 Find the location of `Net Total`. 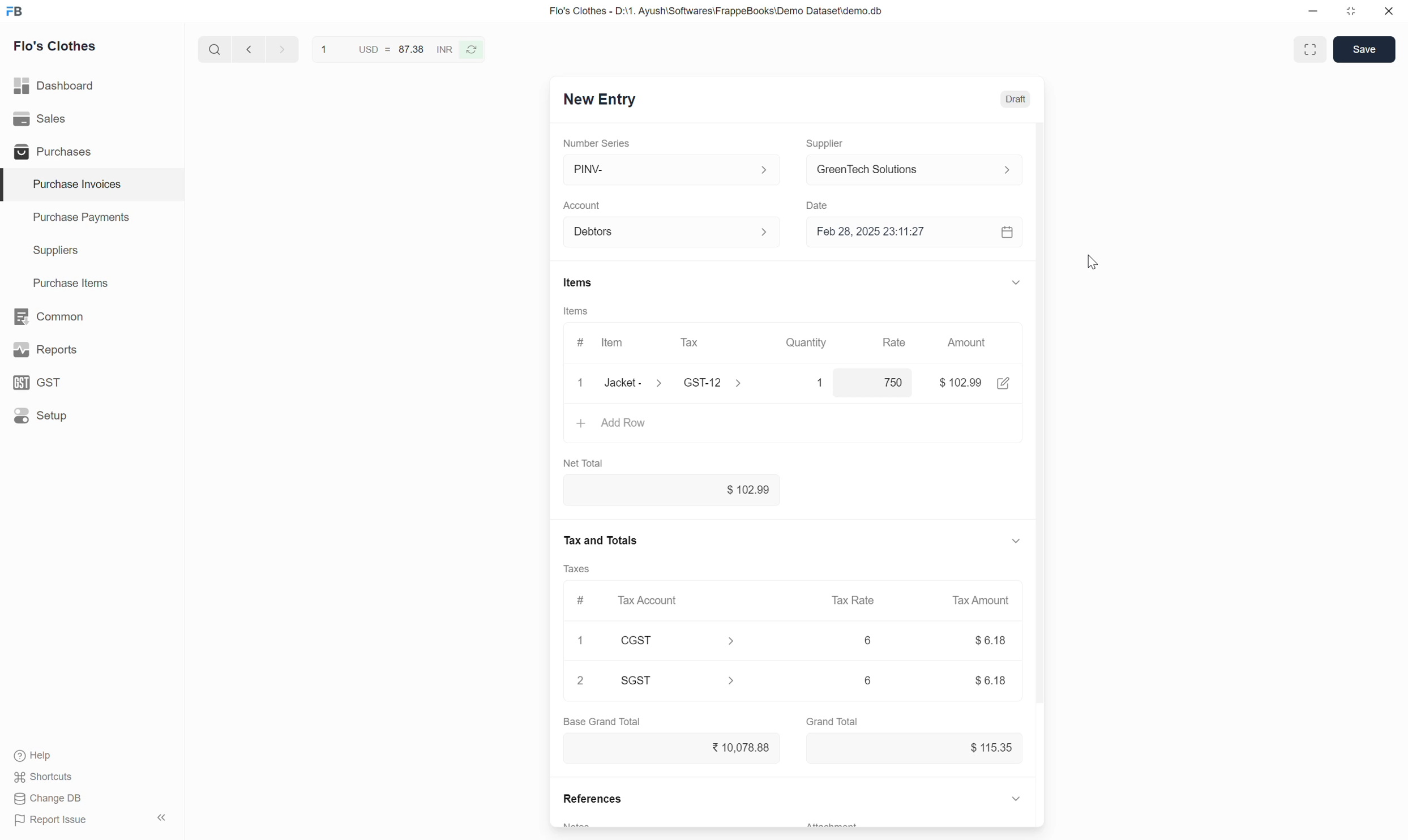

Net Total is located at coordinates (584, 464).